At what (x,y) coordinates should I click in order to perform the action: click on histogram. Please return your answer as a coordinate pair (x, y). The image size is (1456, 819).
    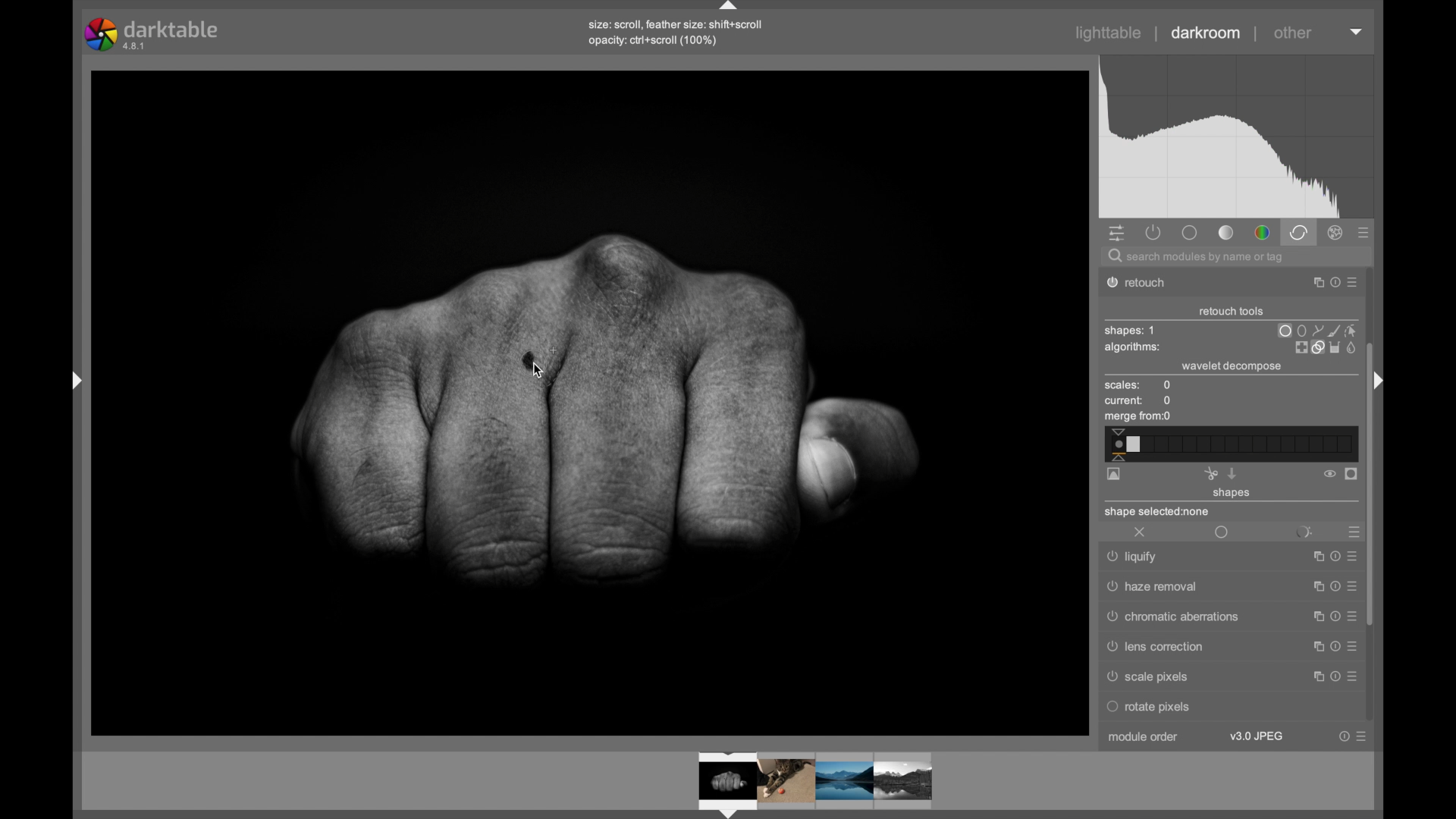
    Looking at the image, I should click on (1236, 137).